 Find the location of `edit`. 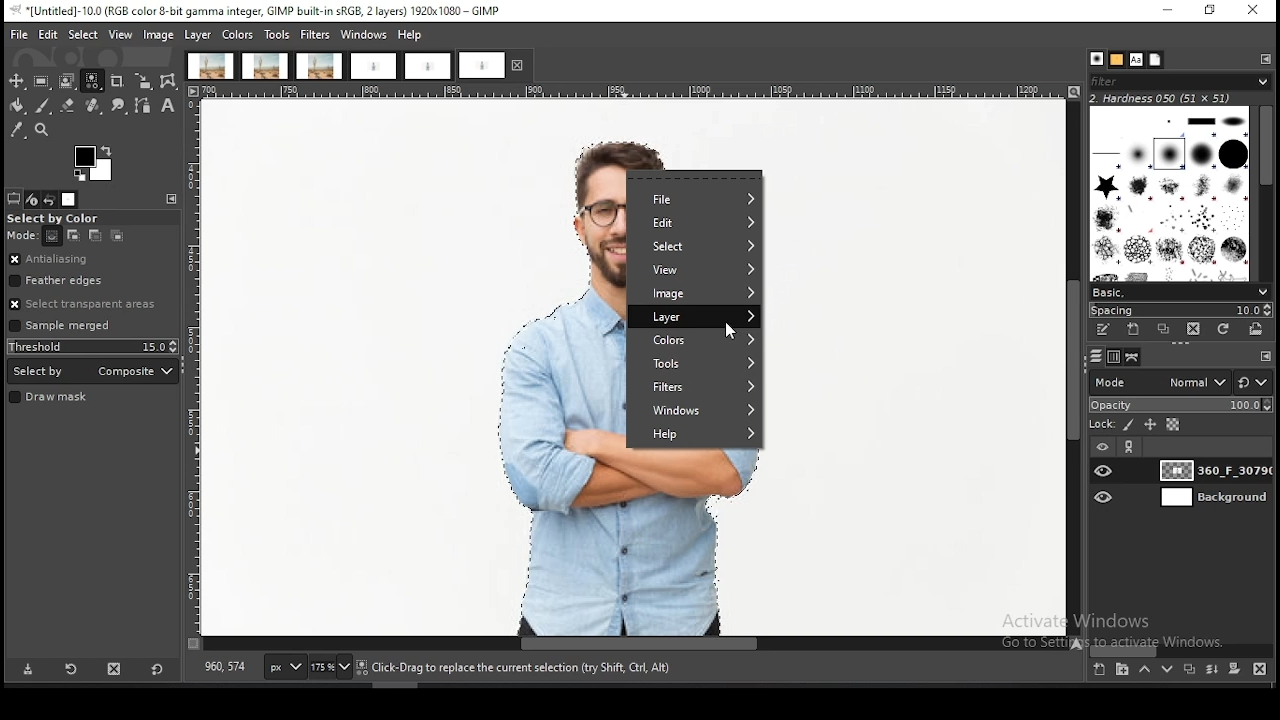

edit is located at coordinates (49, 34).